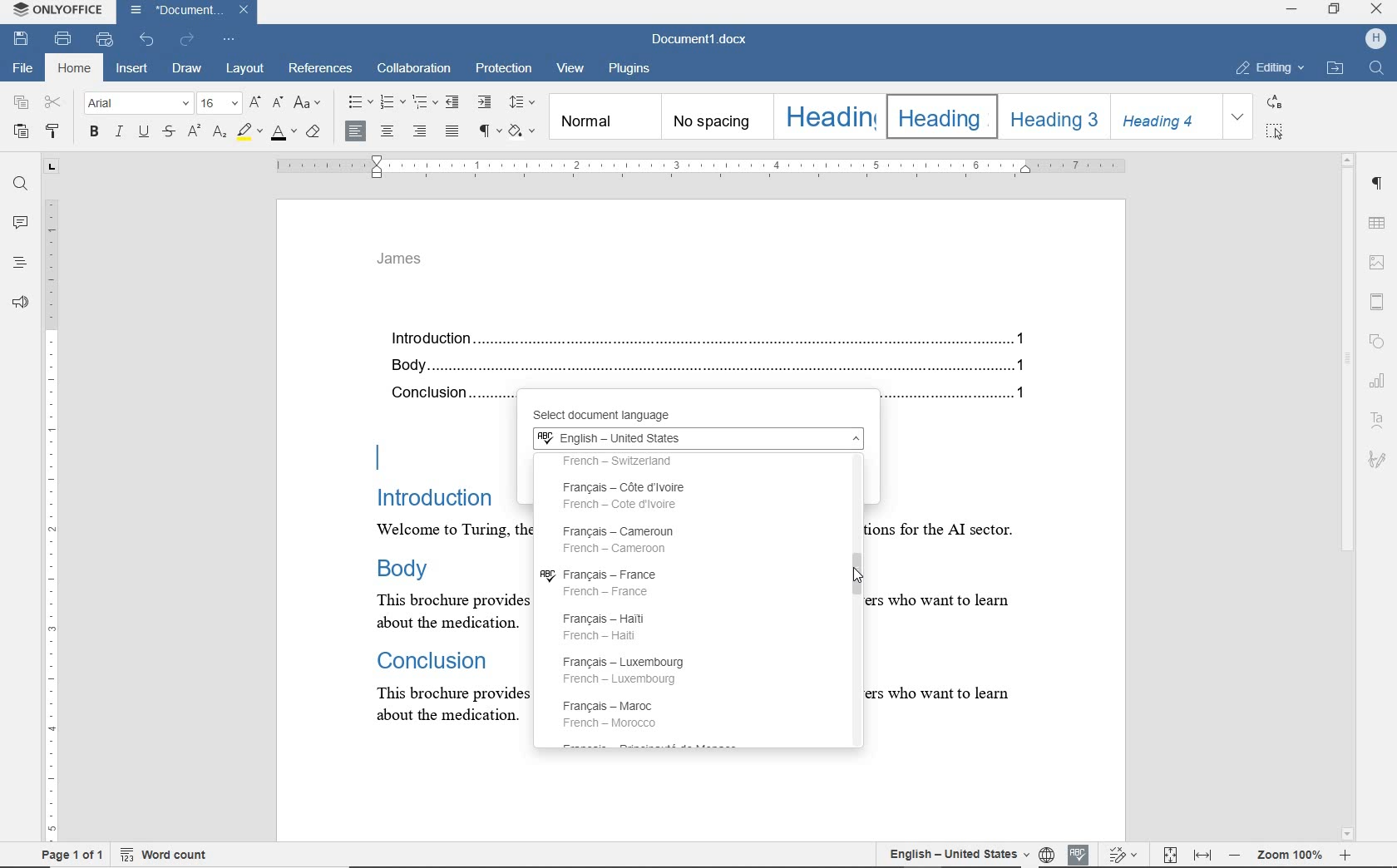 The image size is (1397, 868). Describe the element at coordinates (278, 101) in the screenshot. I see `decrement font size` at that location.